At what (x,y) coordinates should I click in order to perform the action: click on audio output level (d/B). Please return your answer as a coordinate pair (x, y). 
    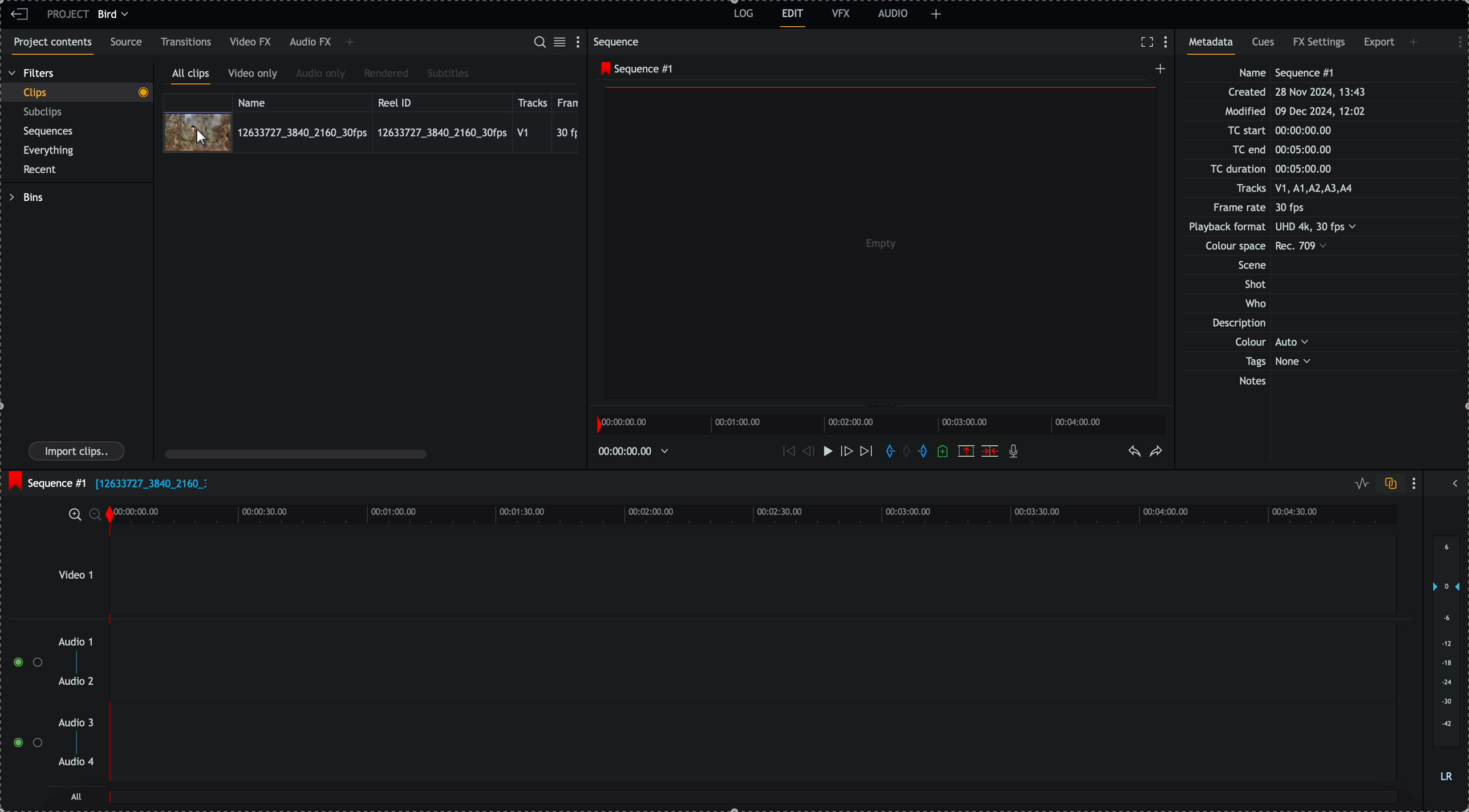
    Looking at the image, I should click on (1445, 660).